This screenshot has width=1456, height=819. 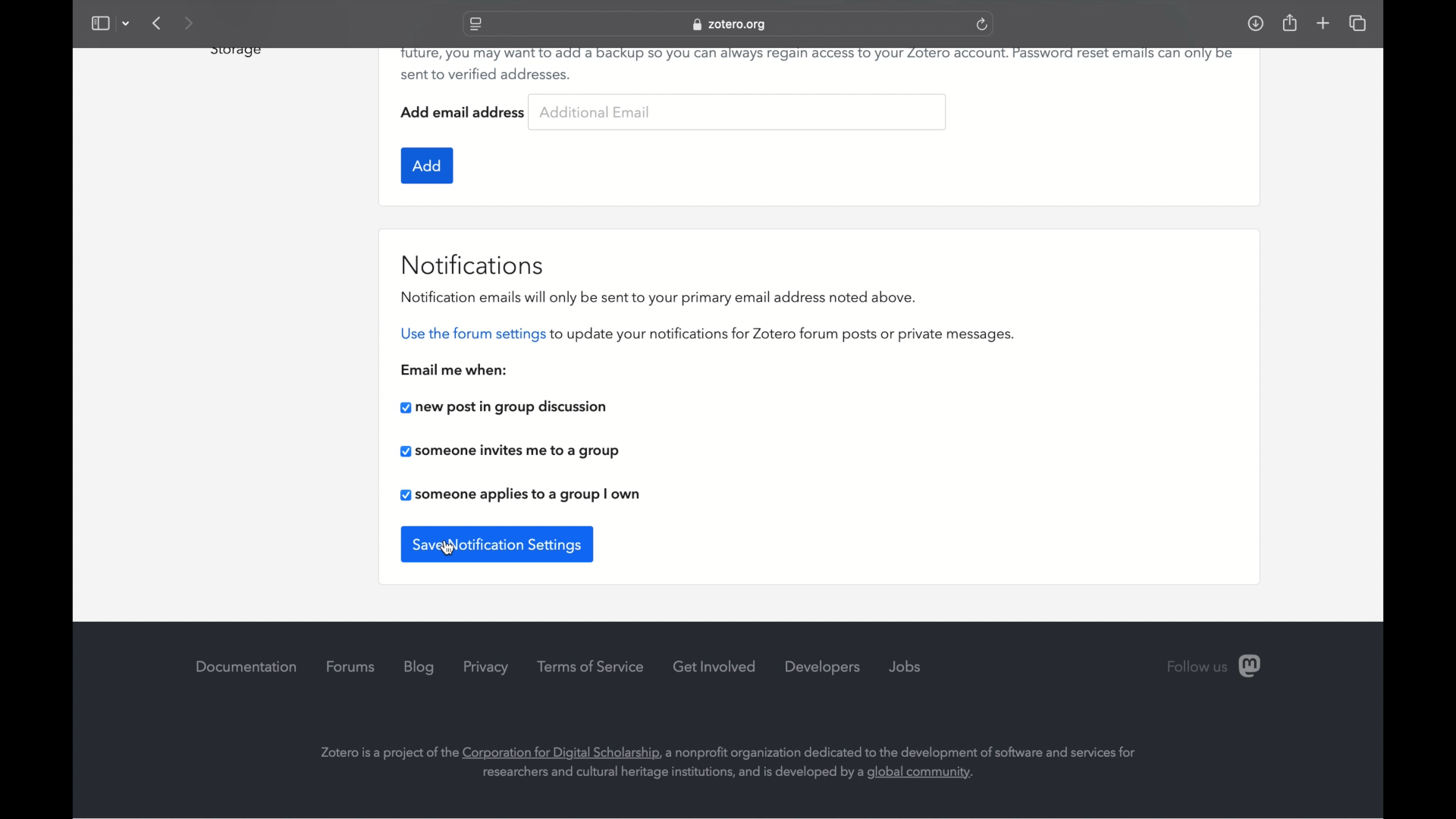 I want to click on documentation, so click(x=246, y=666).